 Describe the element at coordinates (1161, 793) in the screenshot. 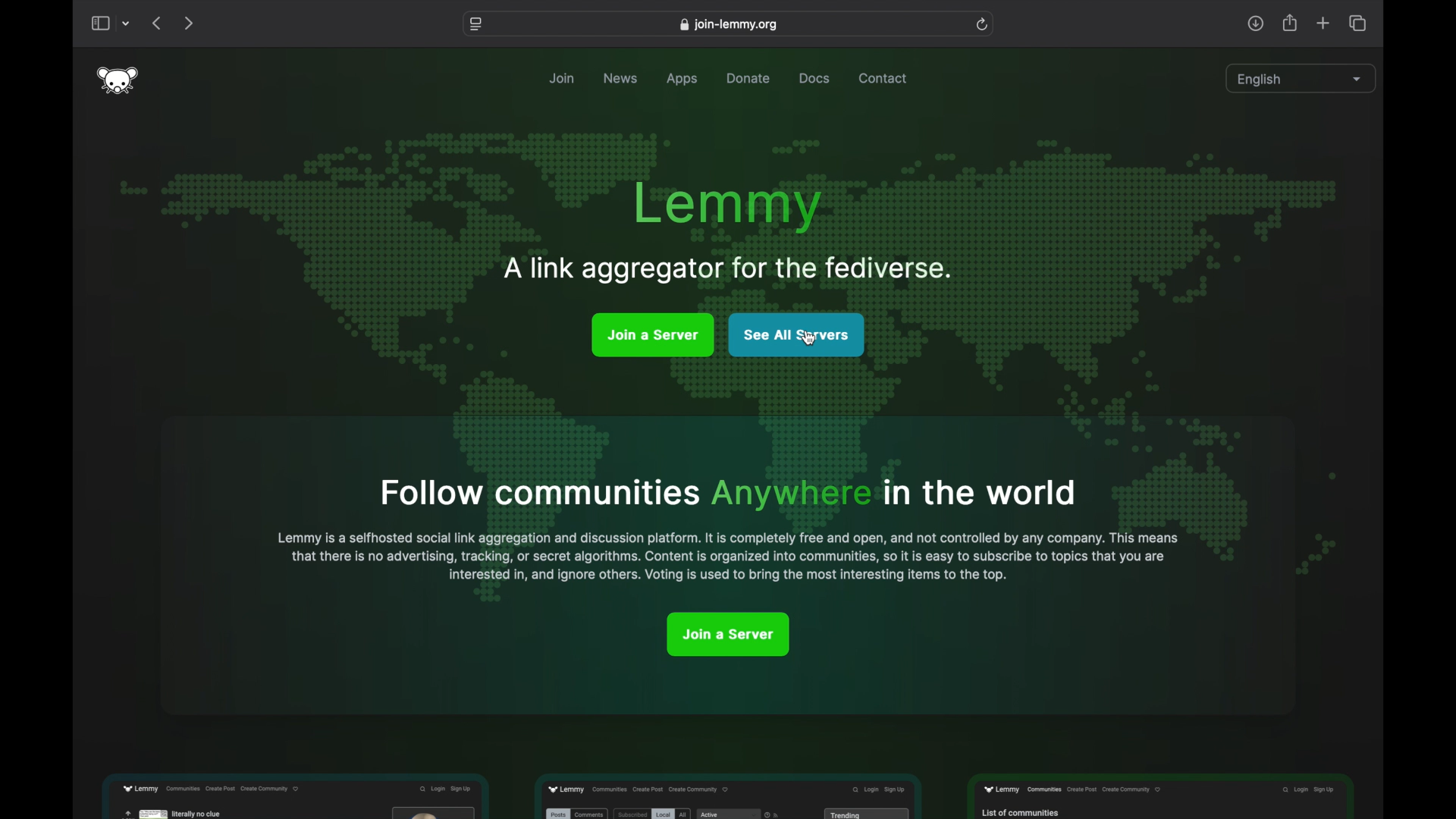

I see `feature preview` at that location.